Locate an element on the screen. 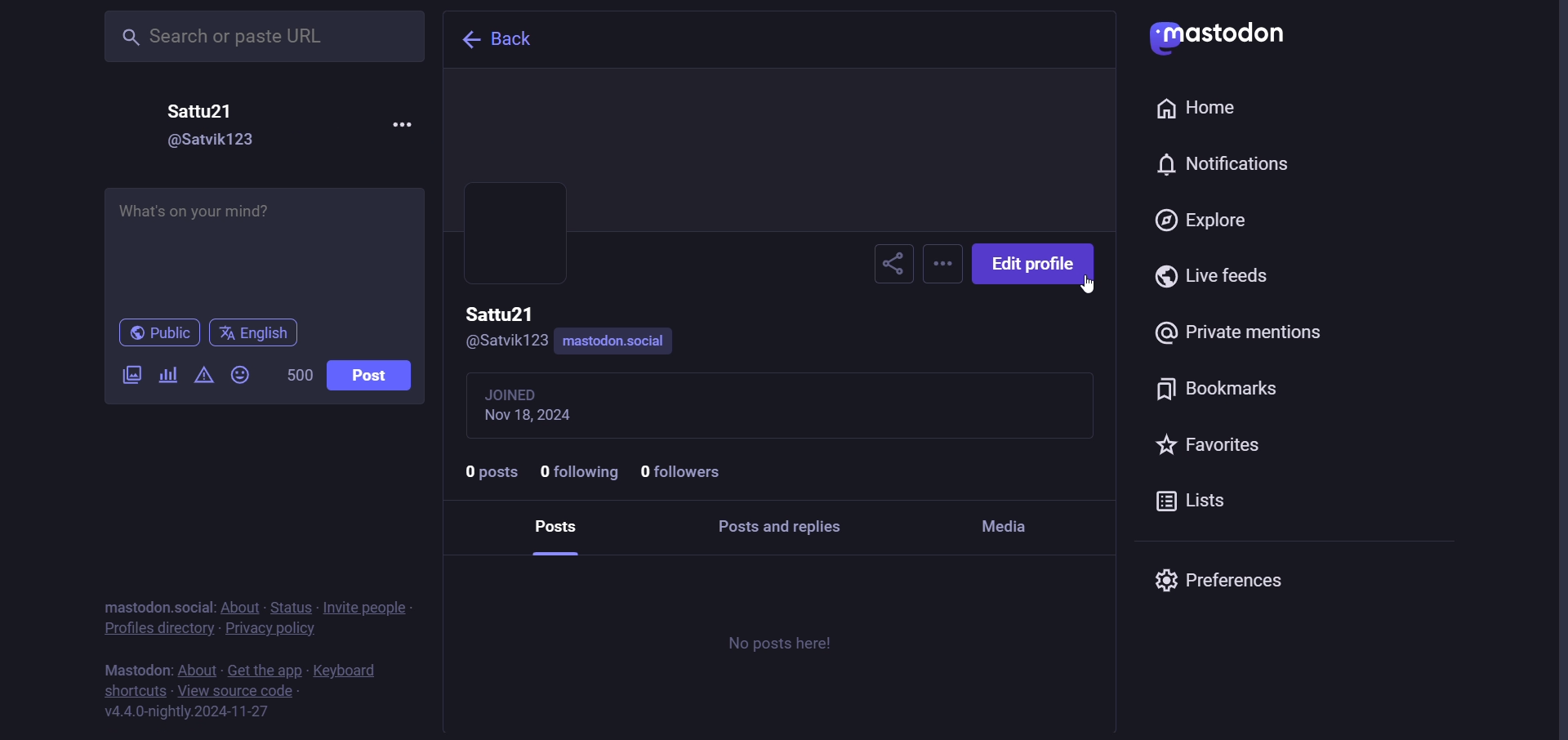 The image size is (1568, 740). status is located at coordinates (290, 607).